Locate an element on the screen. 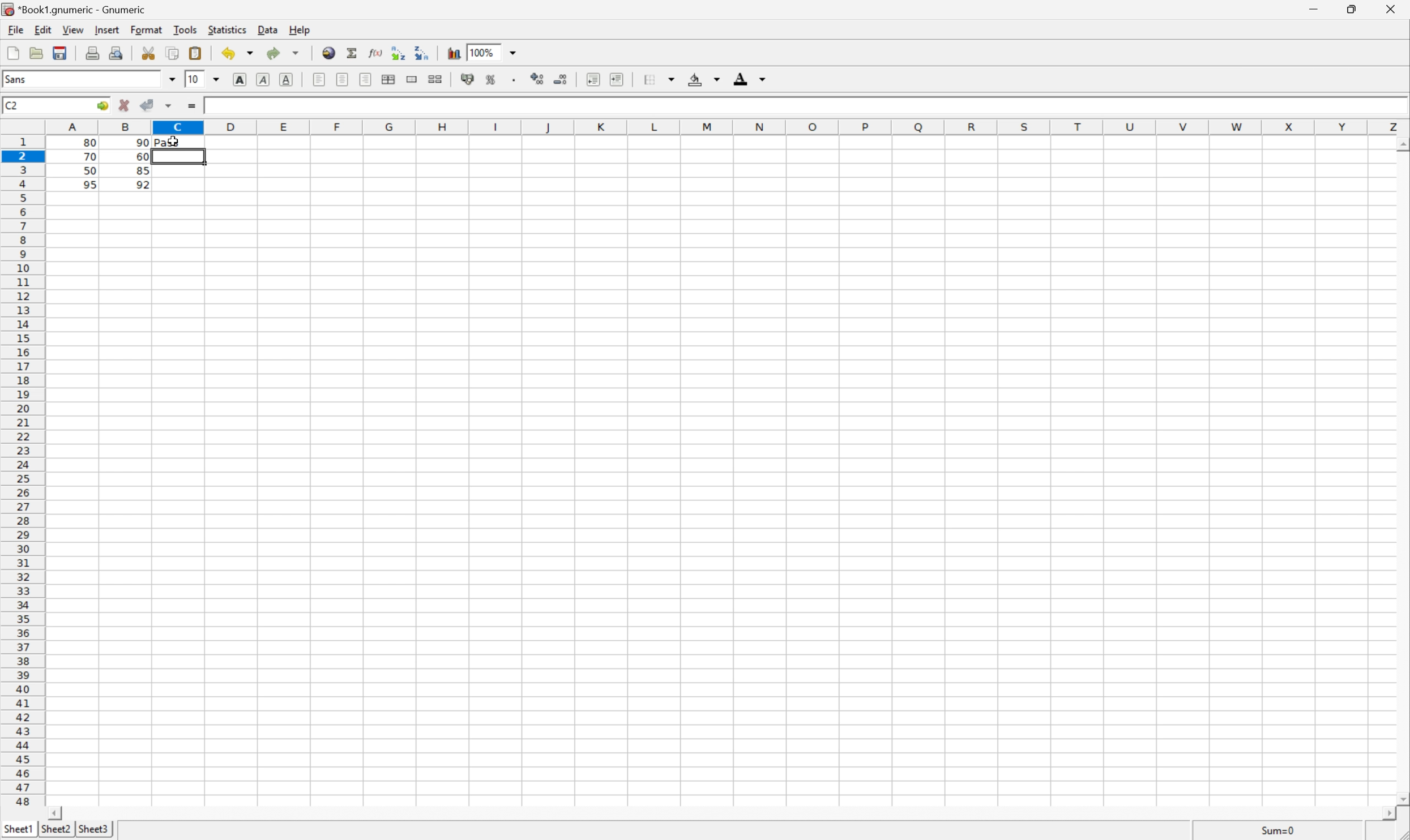 The image size is (1410, 840). Statistics is located at coordinates (229, 31).